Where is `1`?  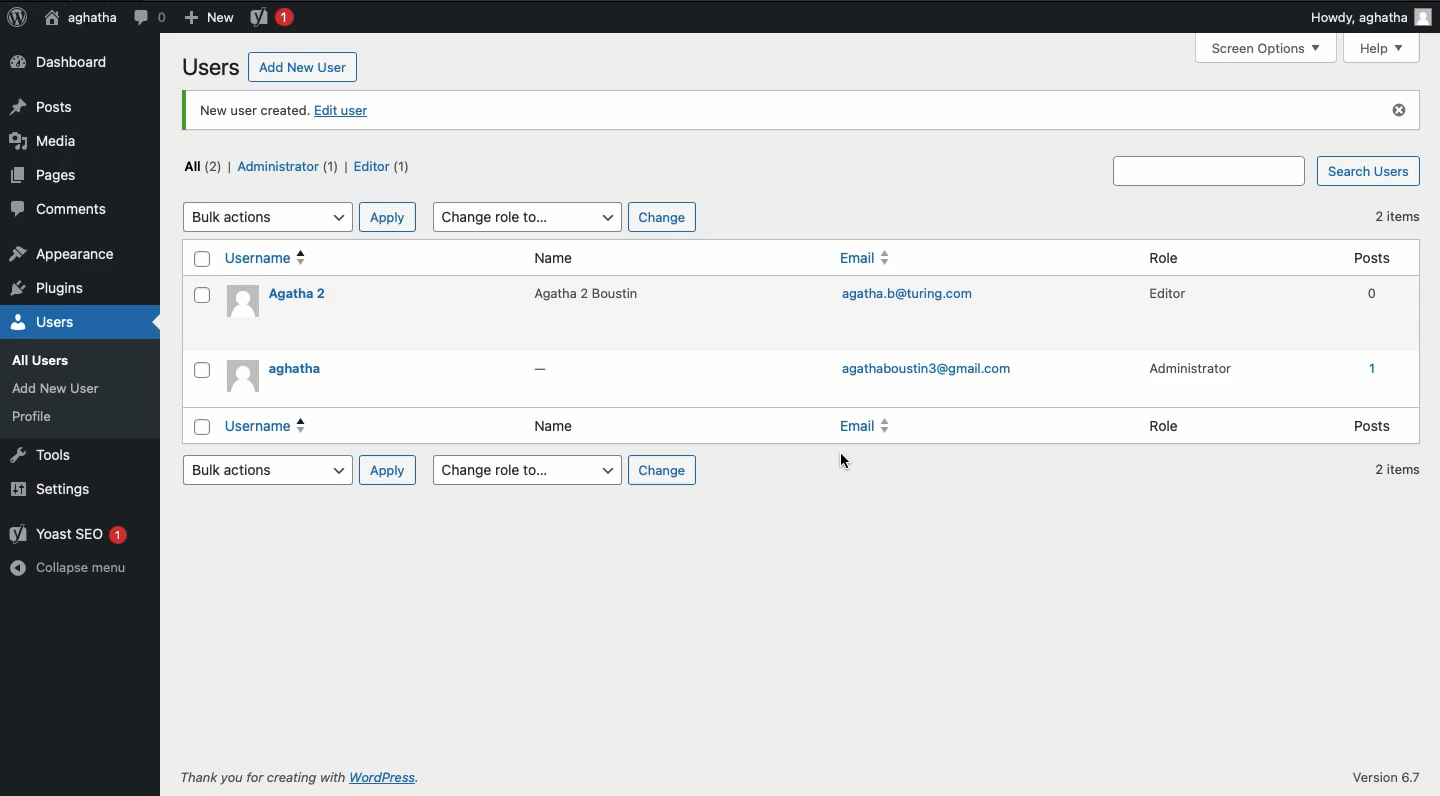 1 is located at coordinates (1369, 368).